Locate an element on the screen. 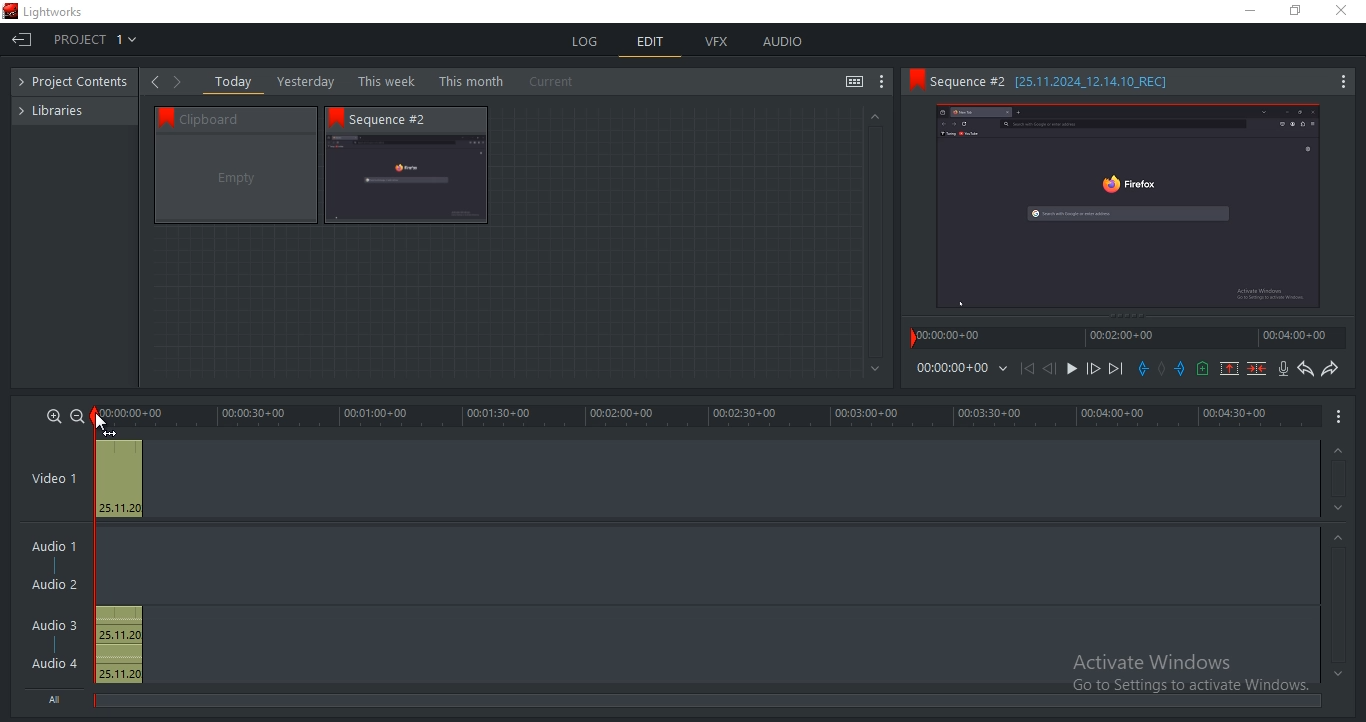  Clipboard is located at coordinates (245, 118).